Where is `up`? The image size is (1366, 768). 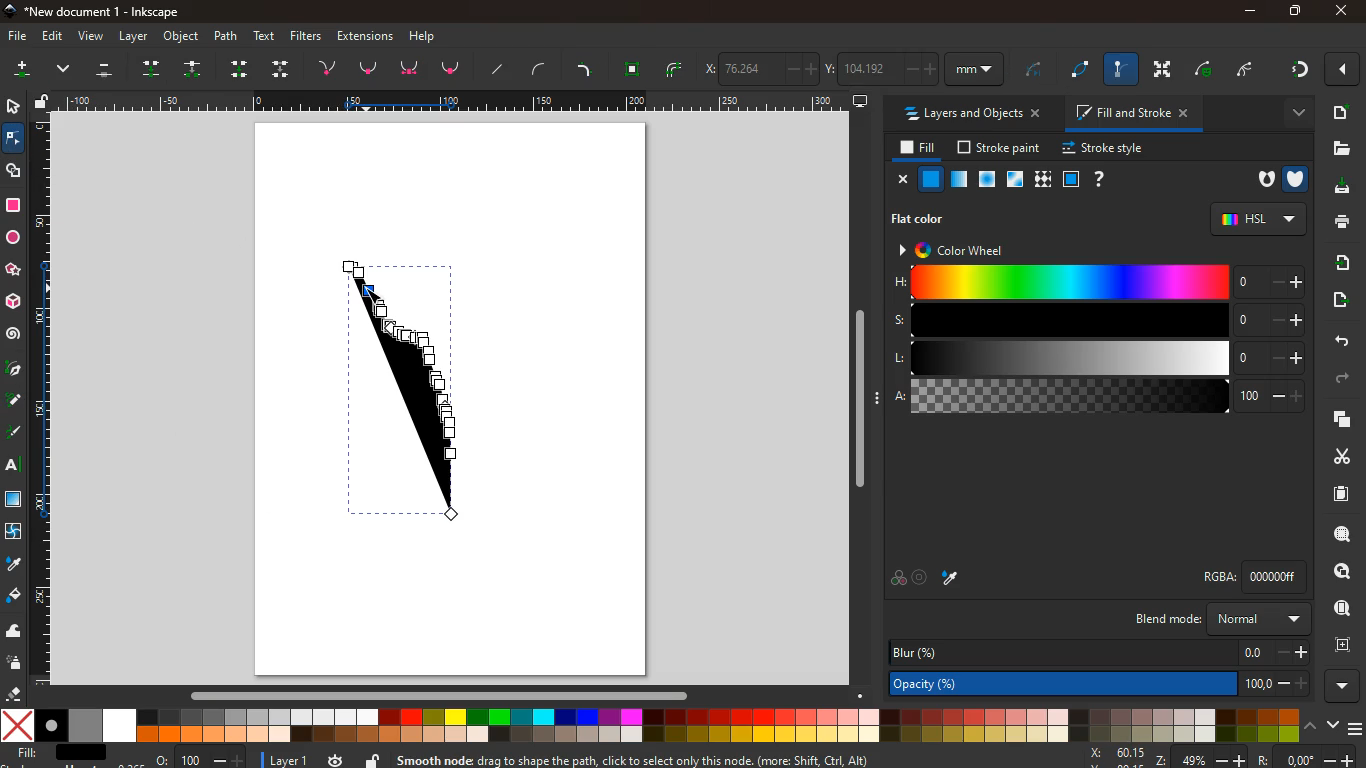
up is located at coordinates (1310, 725).